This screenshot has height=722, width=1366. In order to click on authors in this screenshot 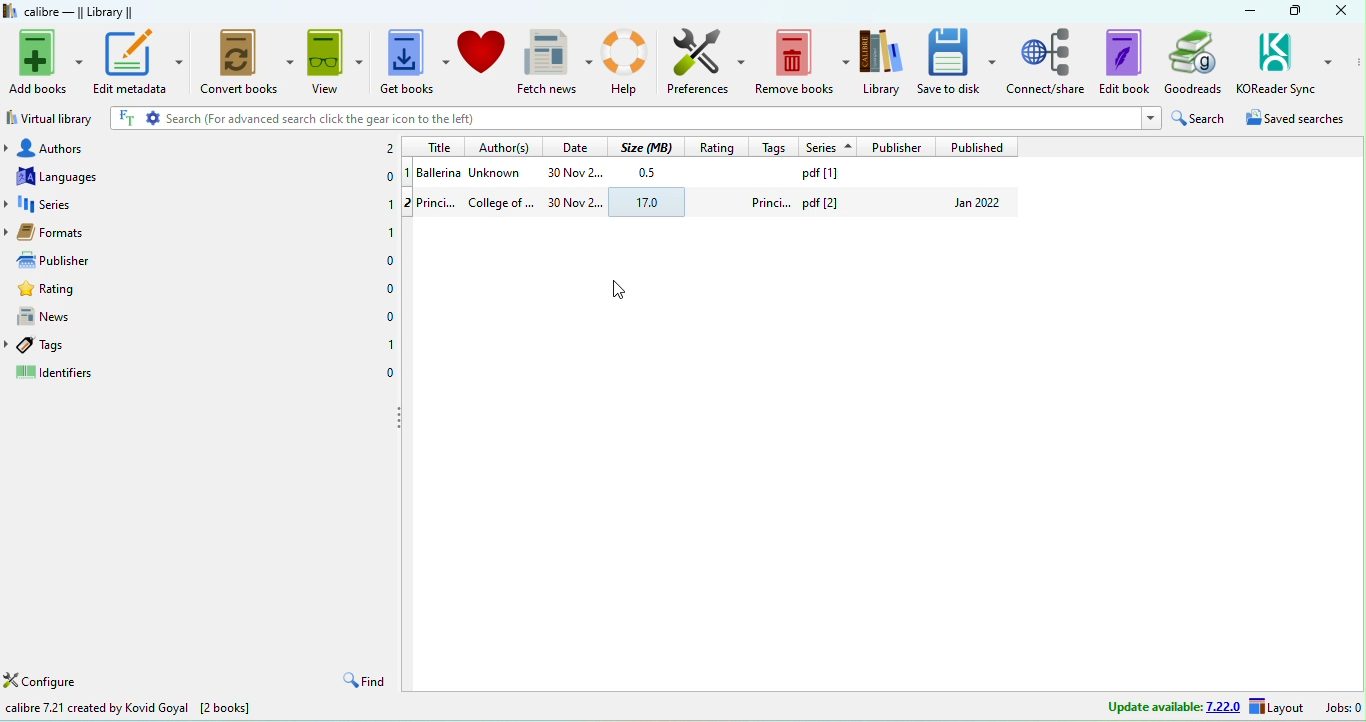, I will do `click(506, 147)`.